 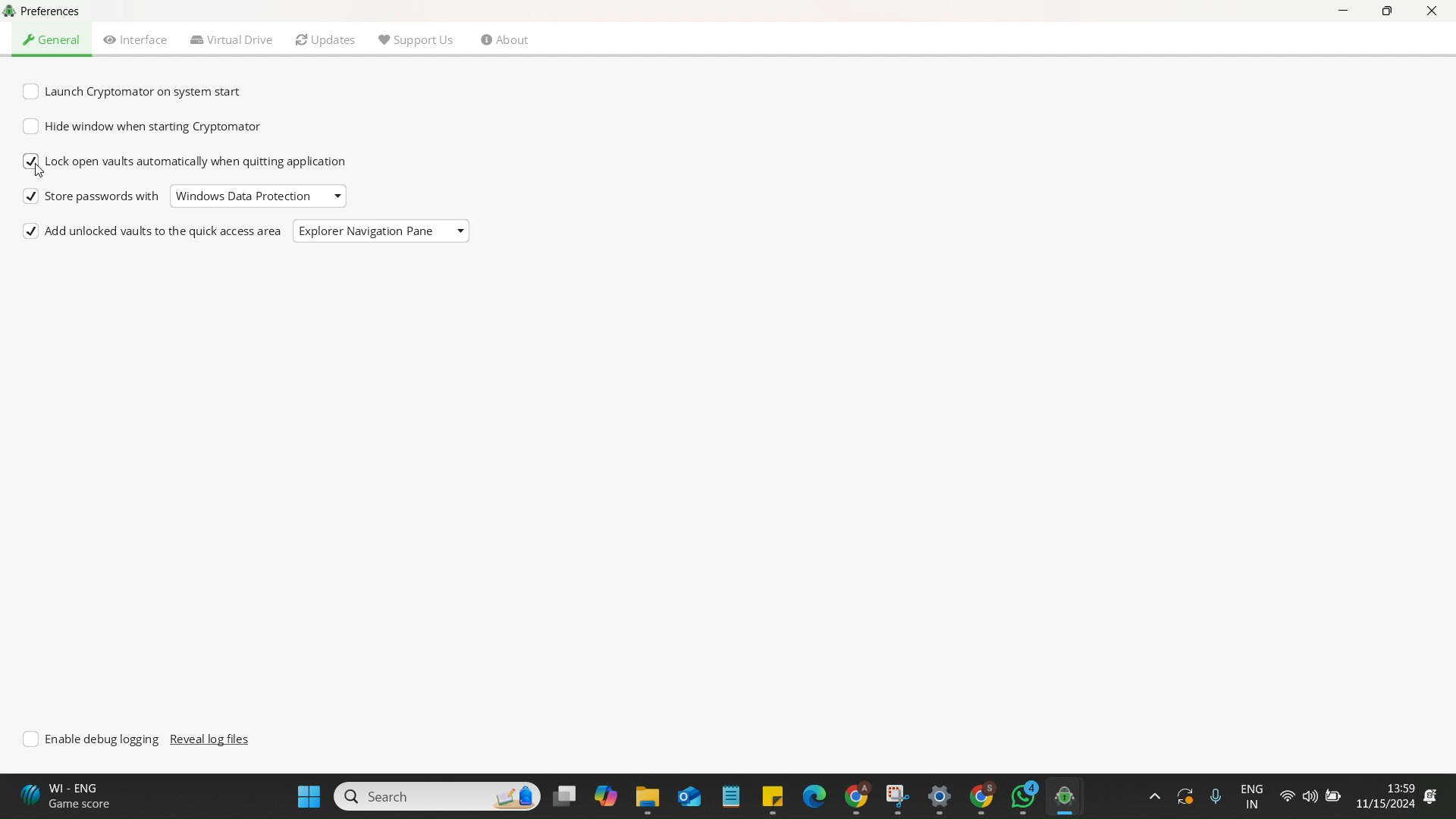 What do you see at coordinates (366, 233) in the screenshot?
I see `Explorer Navigation Pane` at bounding box center [366, 233].